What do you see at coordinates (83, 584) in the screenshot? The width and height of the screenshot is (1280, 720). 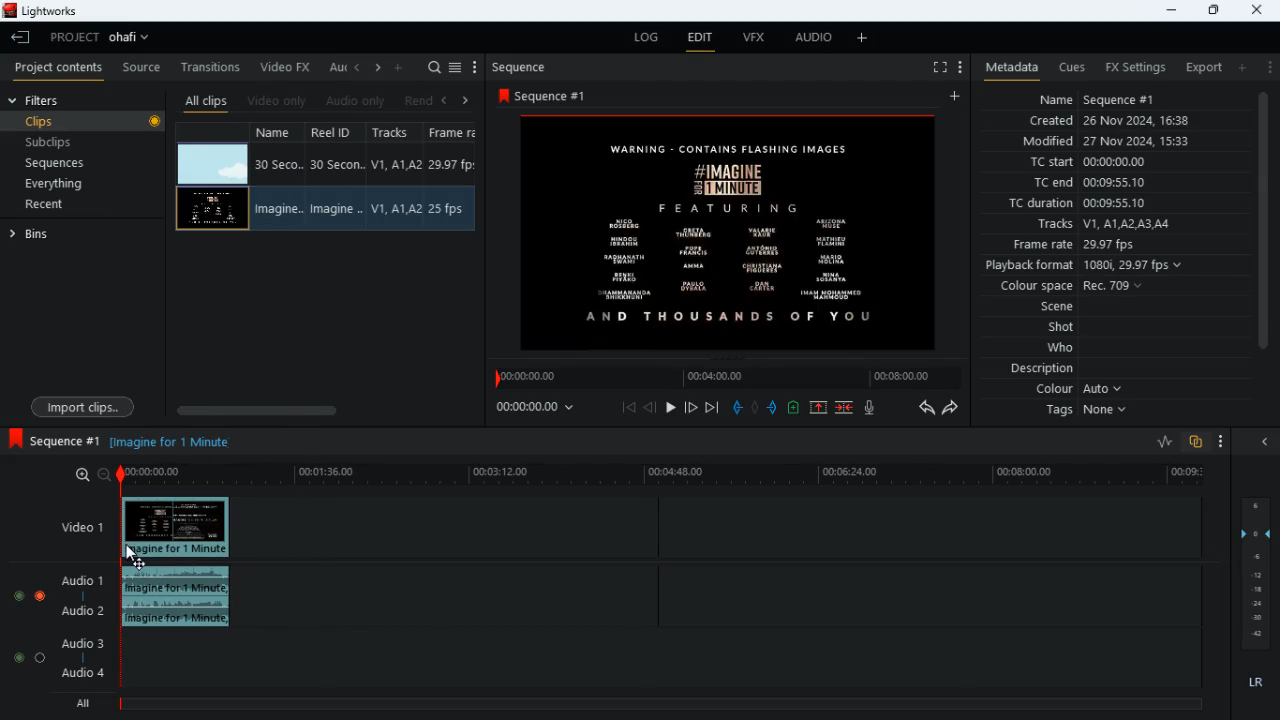 I see `audio 1` at bounding box center [83, 584].